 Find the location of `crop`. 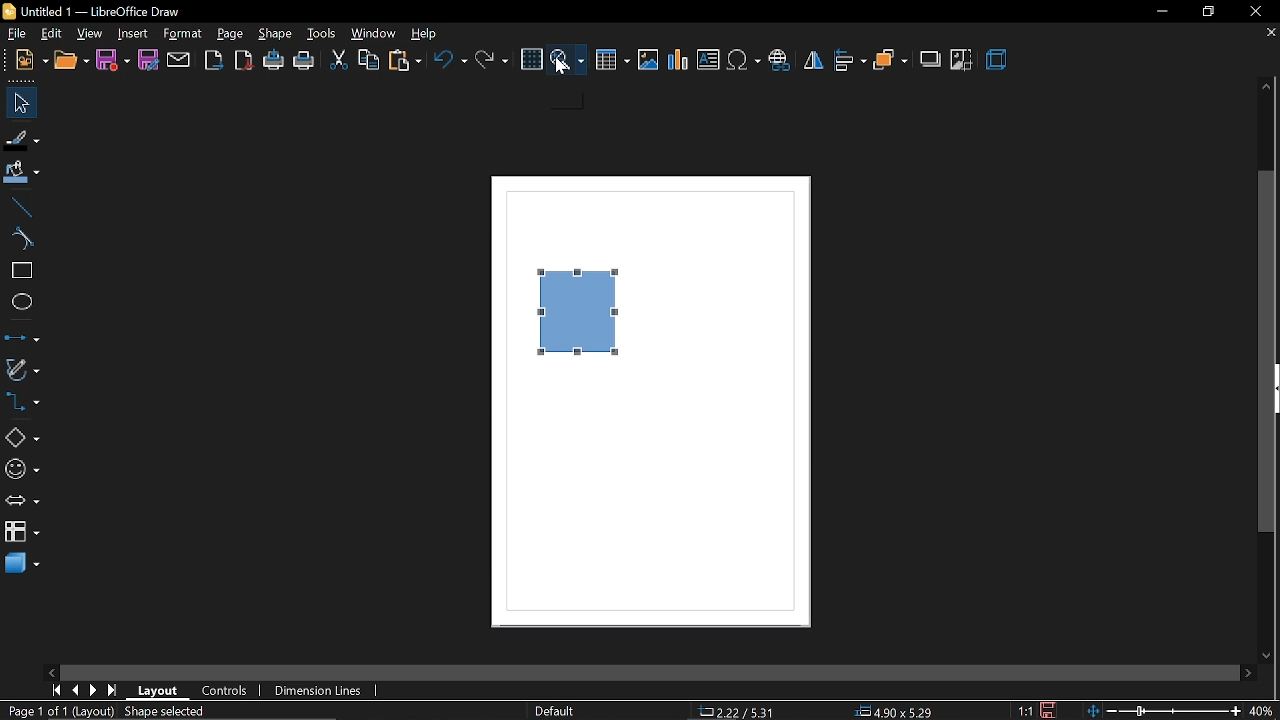

crop is located at coordinates (962, 61).